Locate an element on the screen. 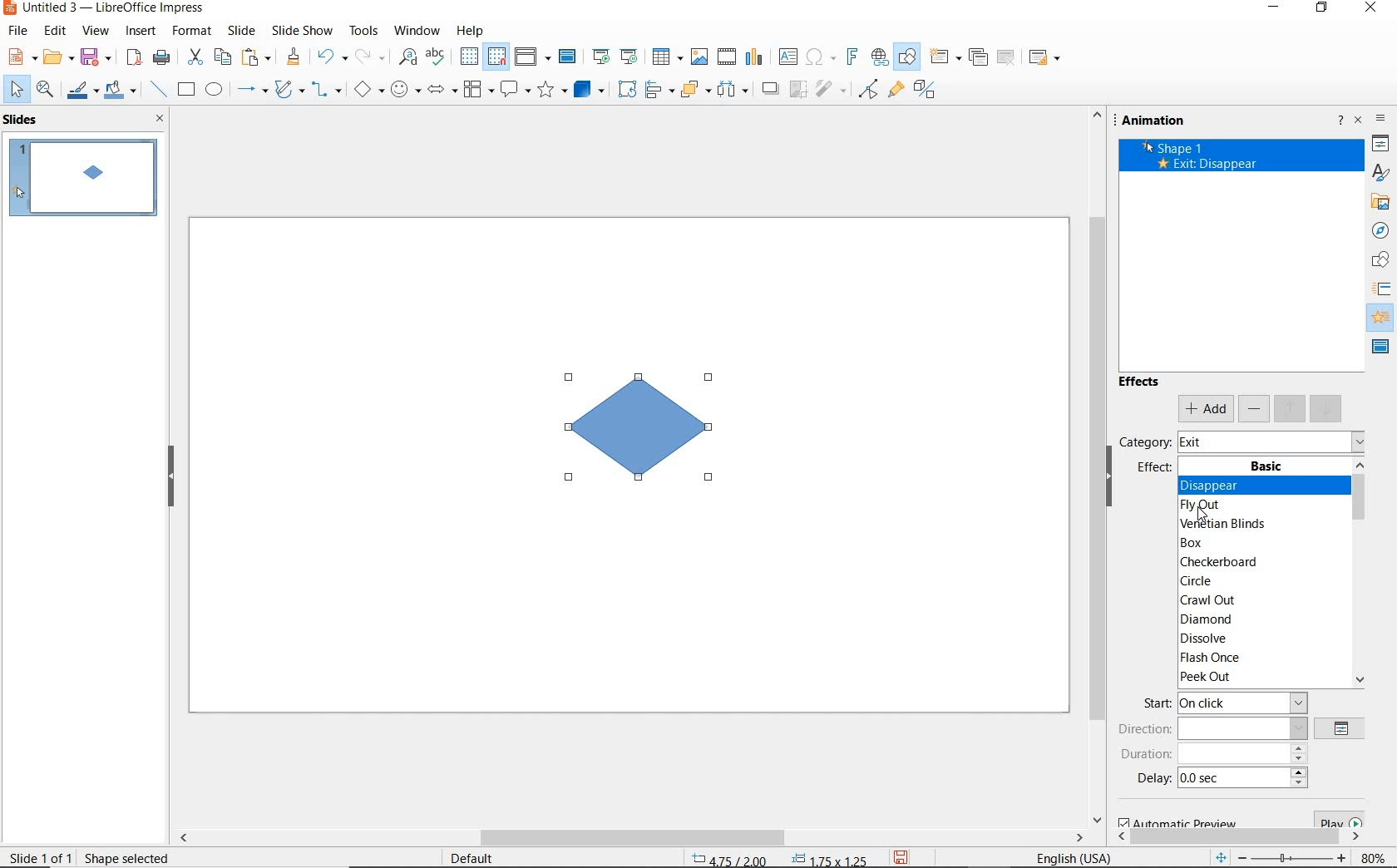 The height and width of the screenshot is (868, 1397). default is located at coordinates (489, 856).